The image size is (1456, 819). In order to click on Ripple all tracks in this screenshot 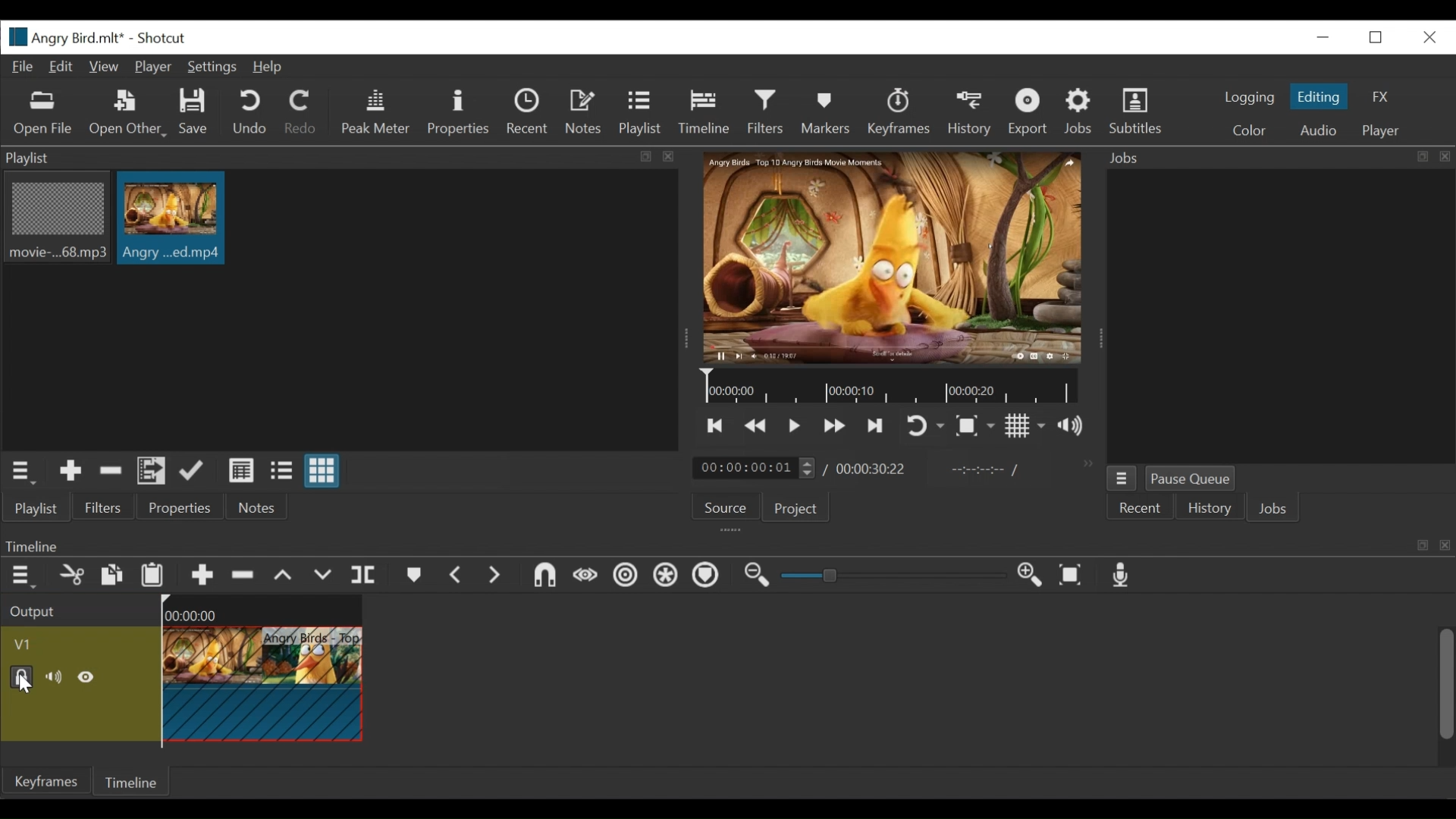, I will do `click(666, 576)`.